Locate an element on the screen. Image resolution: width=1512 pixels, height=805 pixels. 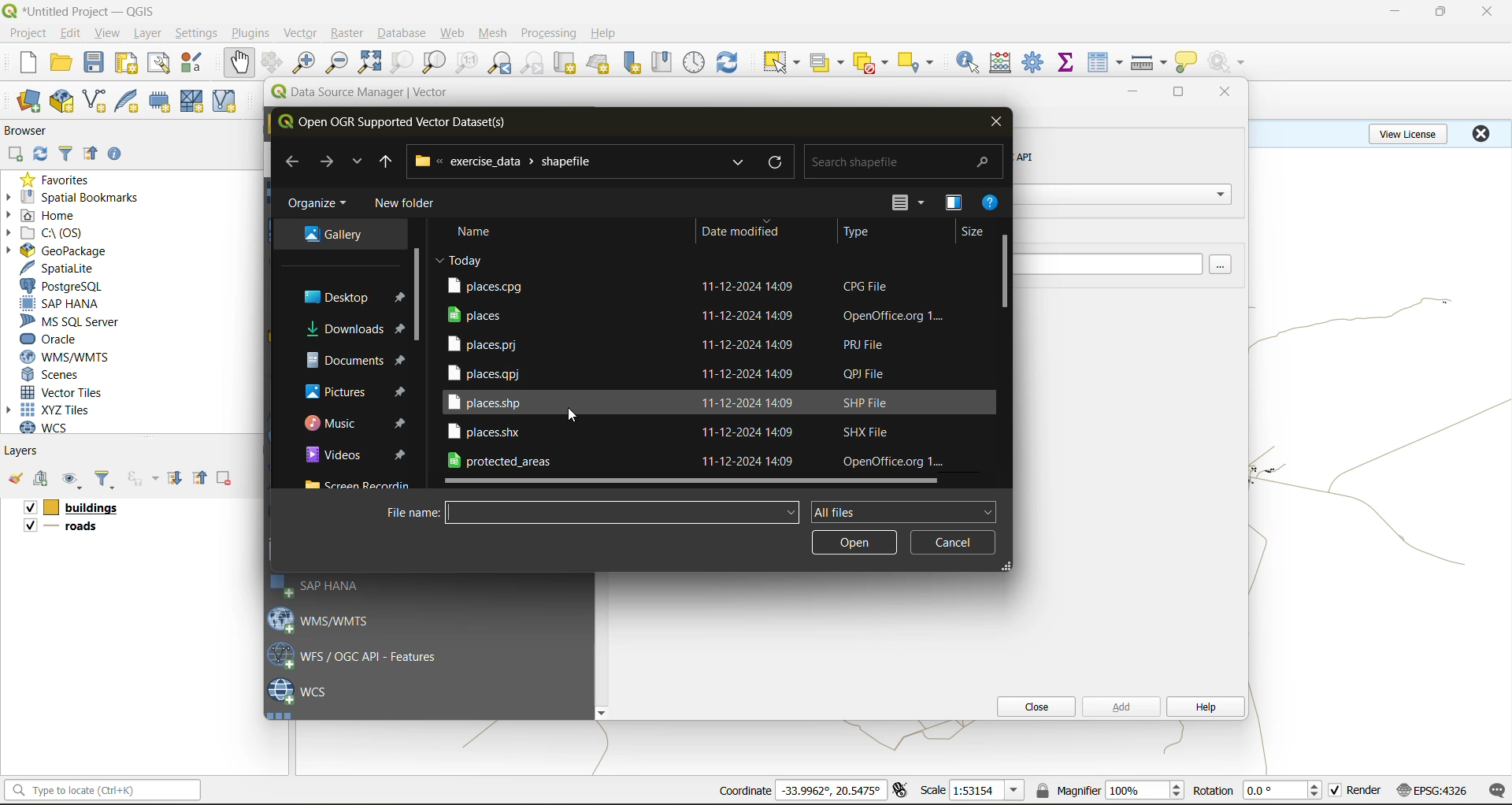
pan map is located at coordinates (239, 63).